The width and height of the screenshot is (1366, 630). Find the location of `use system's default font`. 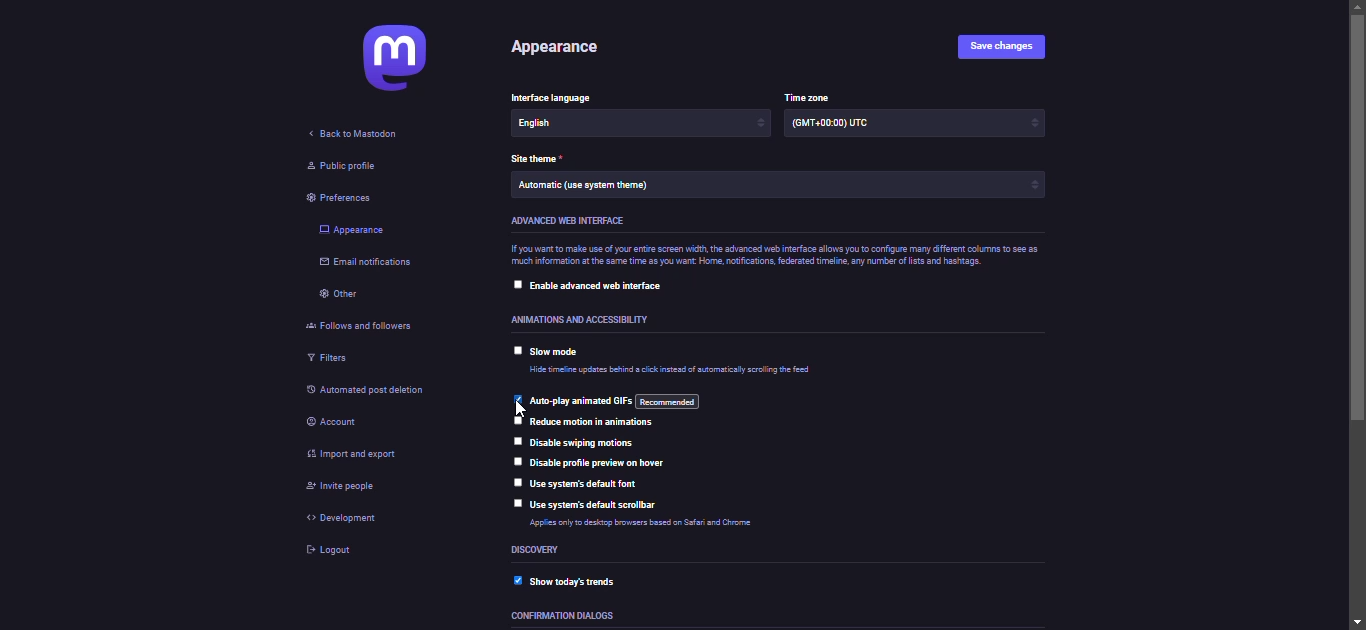

use system's default font is located at coordinates (585, 486).